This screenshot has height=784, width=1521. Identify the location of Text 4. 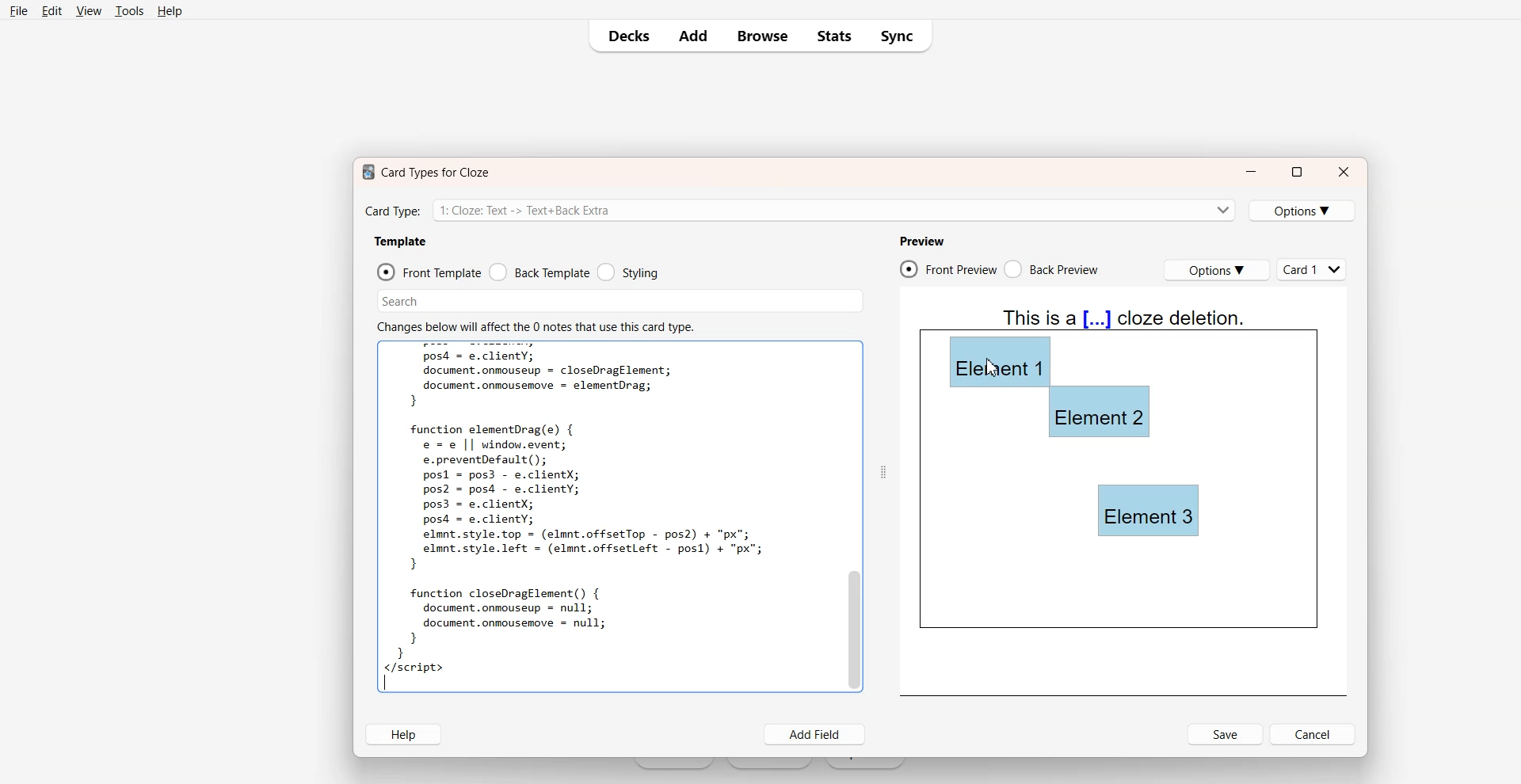
(1125, 318).